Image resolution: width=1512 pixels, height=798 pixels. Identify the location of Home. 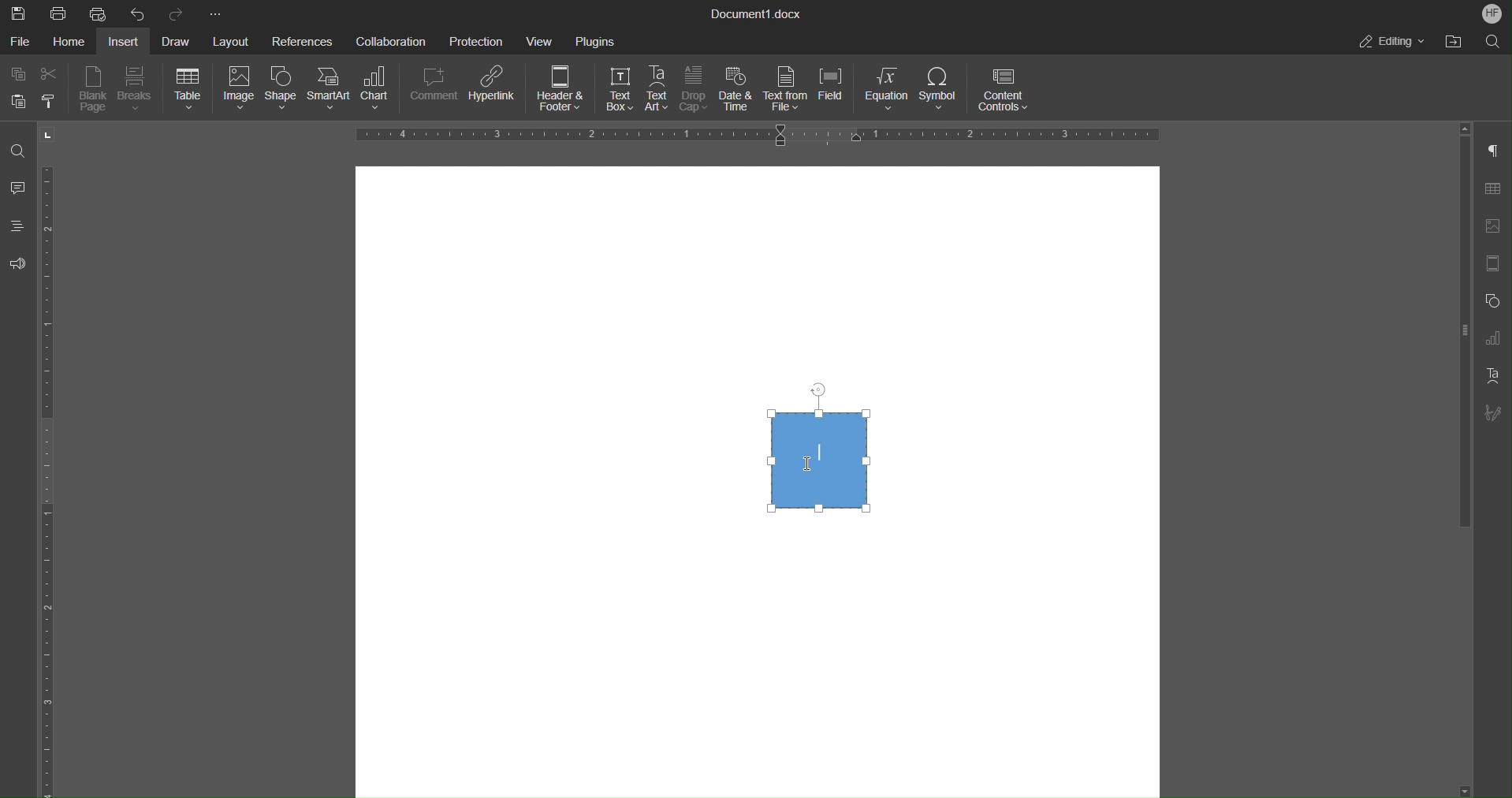
(73, 42).